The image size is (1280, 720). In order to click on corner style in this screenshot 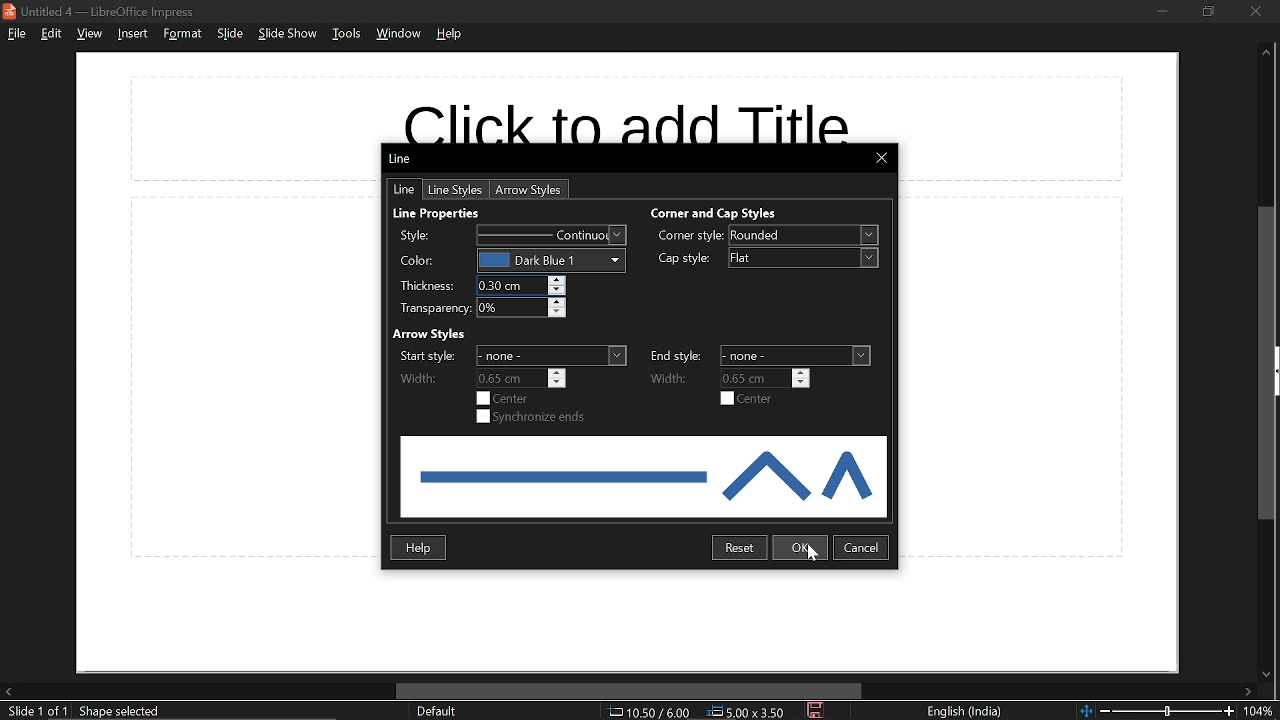, I will do `click(802, 235)`.